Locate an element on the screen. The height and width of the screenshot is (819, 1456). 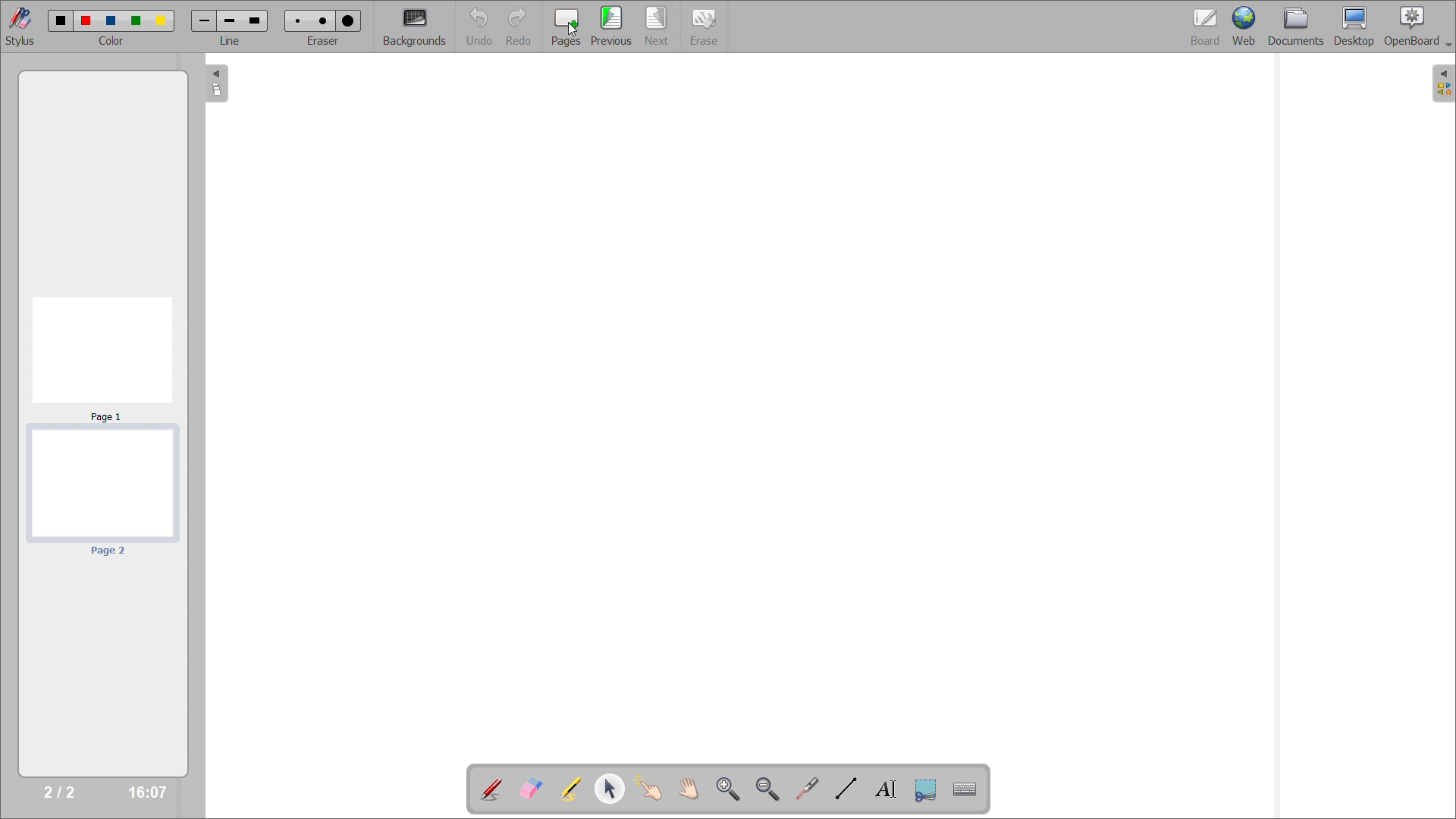
next page is located at coordinates (658, 26).